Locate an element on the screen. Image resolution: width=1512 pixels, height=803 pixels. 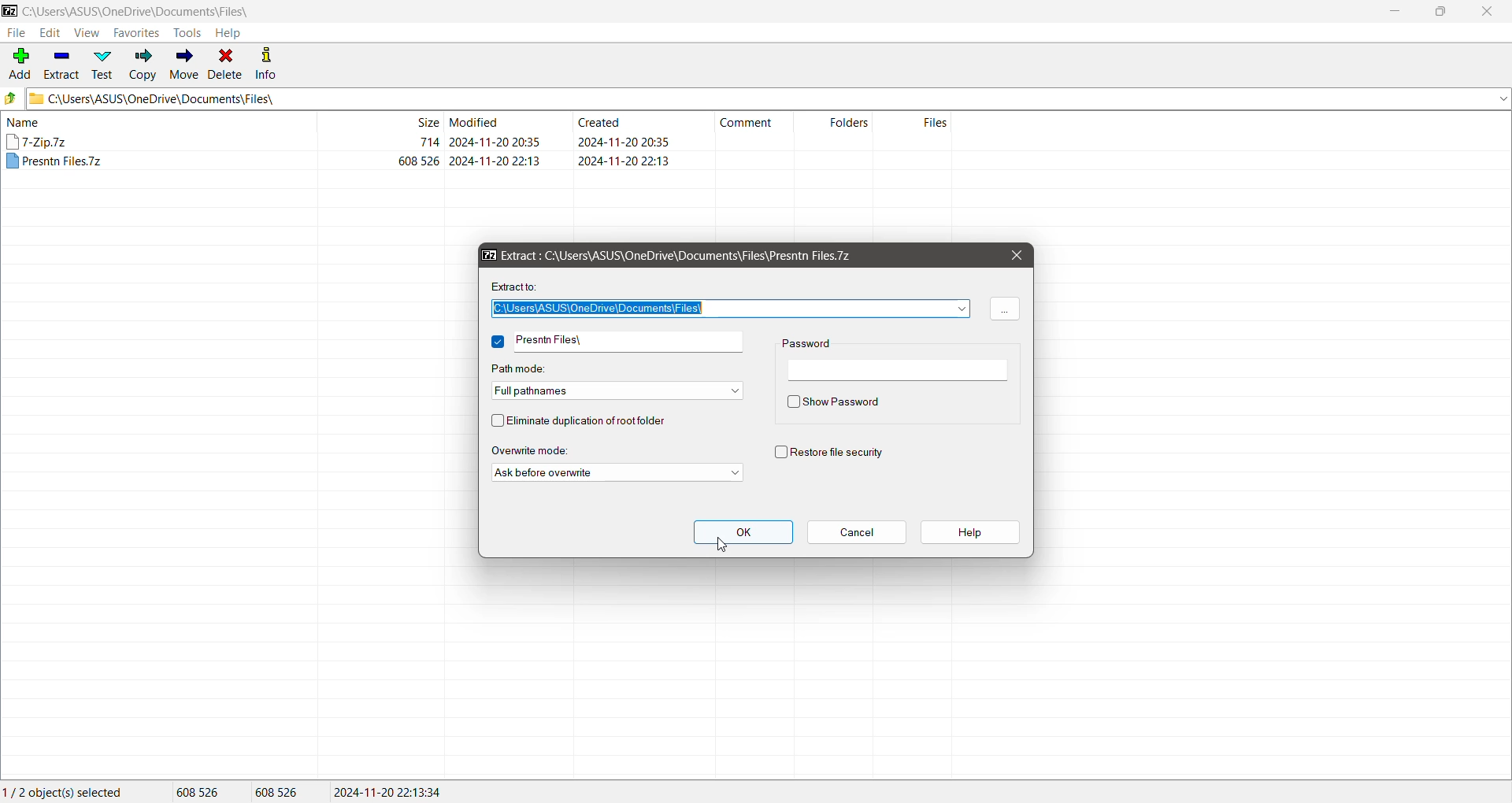
Copy is located at coordinates (143, 64).